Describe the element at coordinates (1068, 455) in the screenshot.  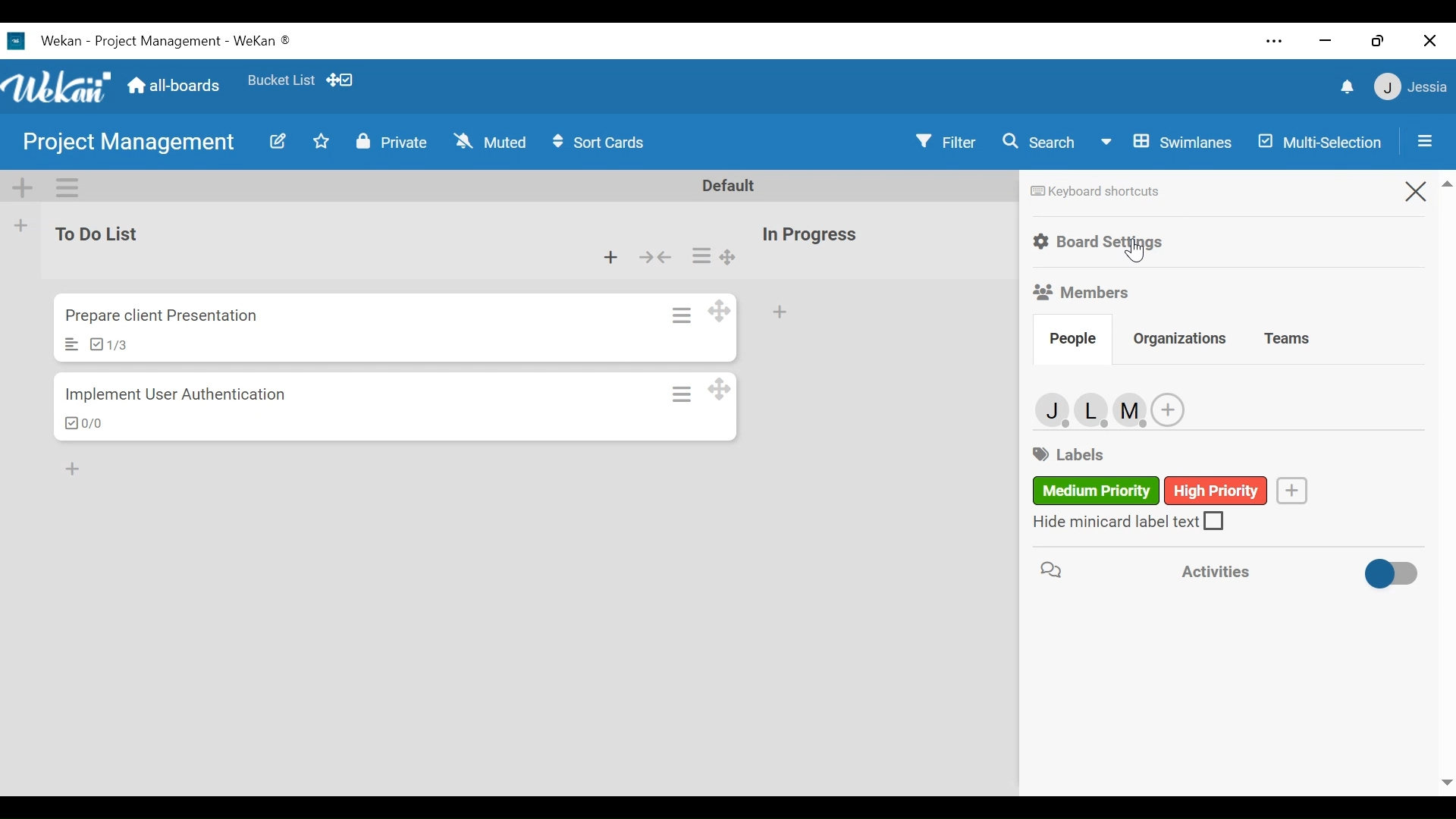
I see `labels` at that location.